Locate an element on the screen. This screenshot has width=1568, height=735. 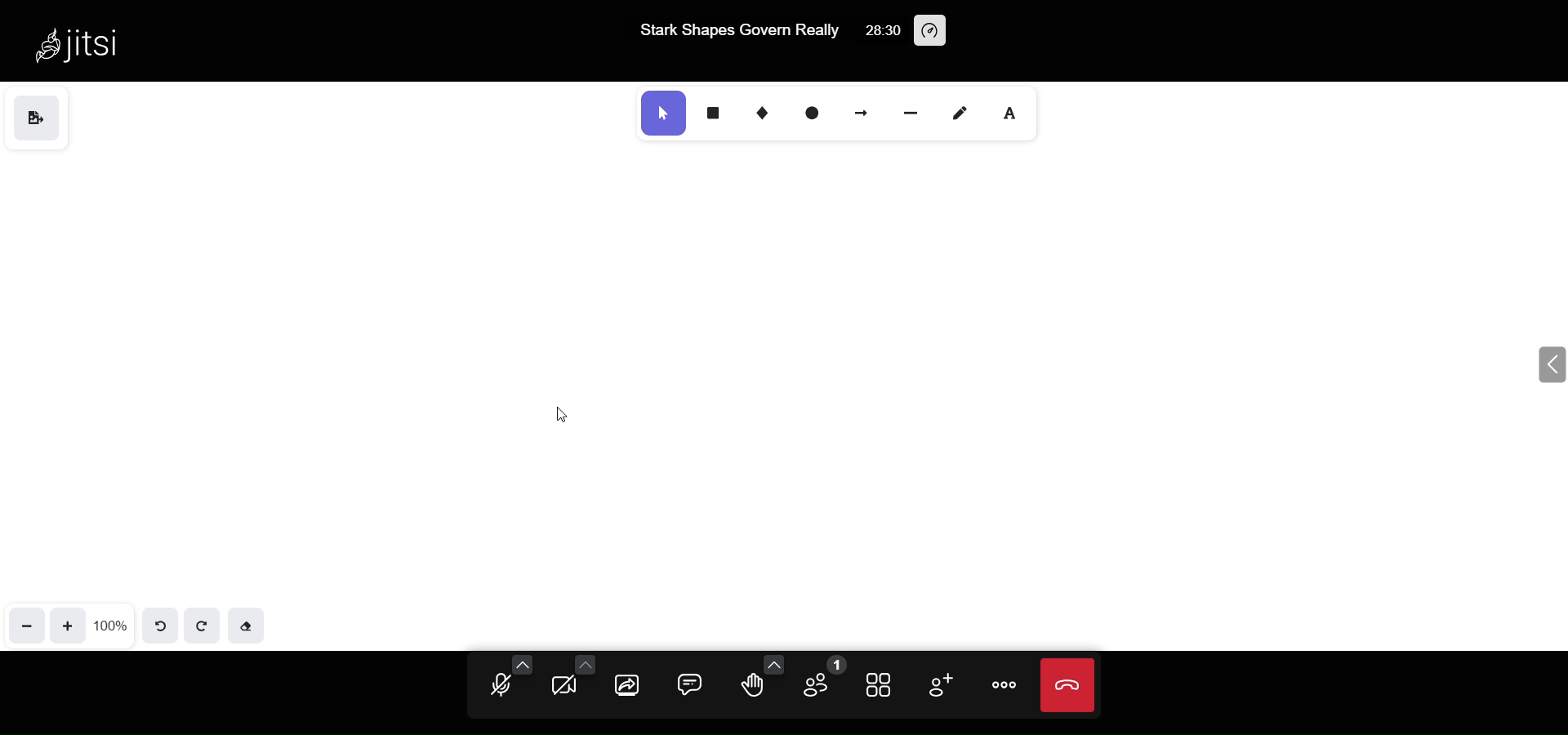
draw is located at coordinates (961, 109).